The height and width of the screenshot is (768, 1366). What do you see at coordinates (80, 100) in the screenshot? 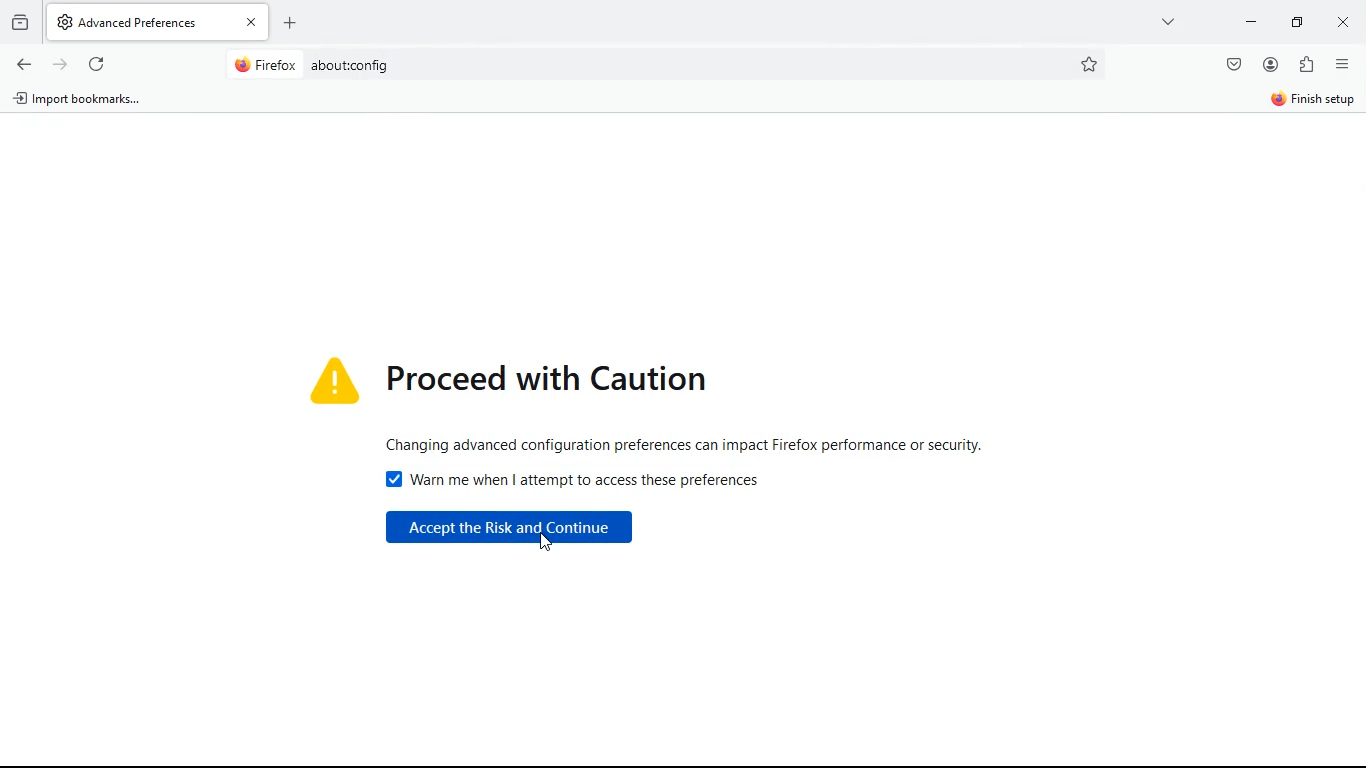
I see `import bookmarks` at bounding box center [80, 100].